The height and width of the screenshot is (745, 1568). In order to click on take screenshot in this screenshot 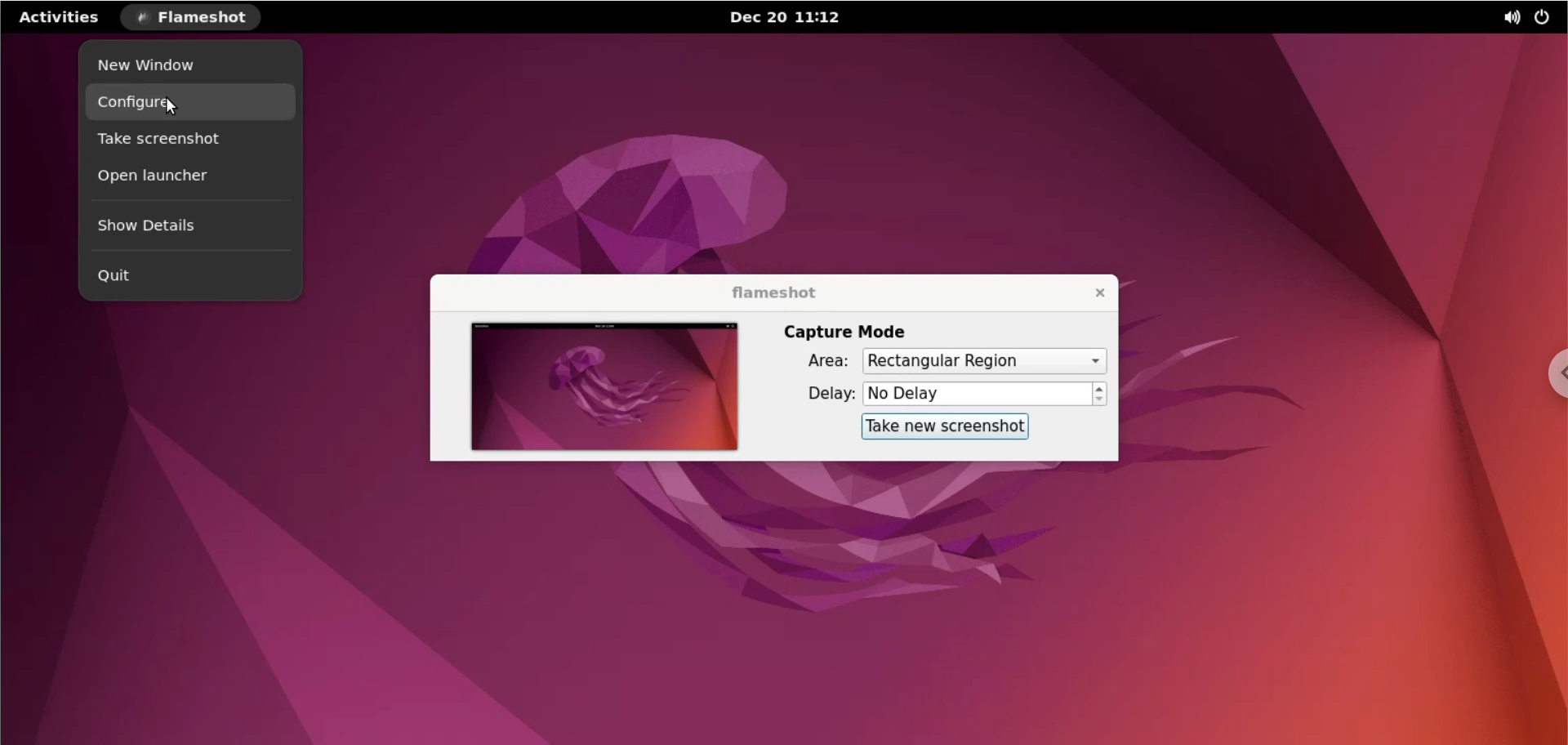, I will do `click(187, 140)`.